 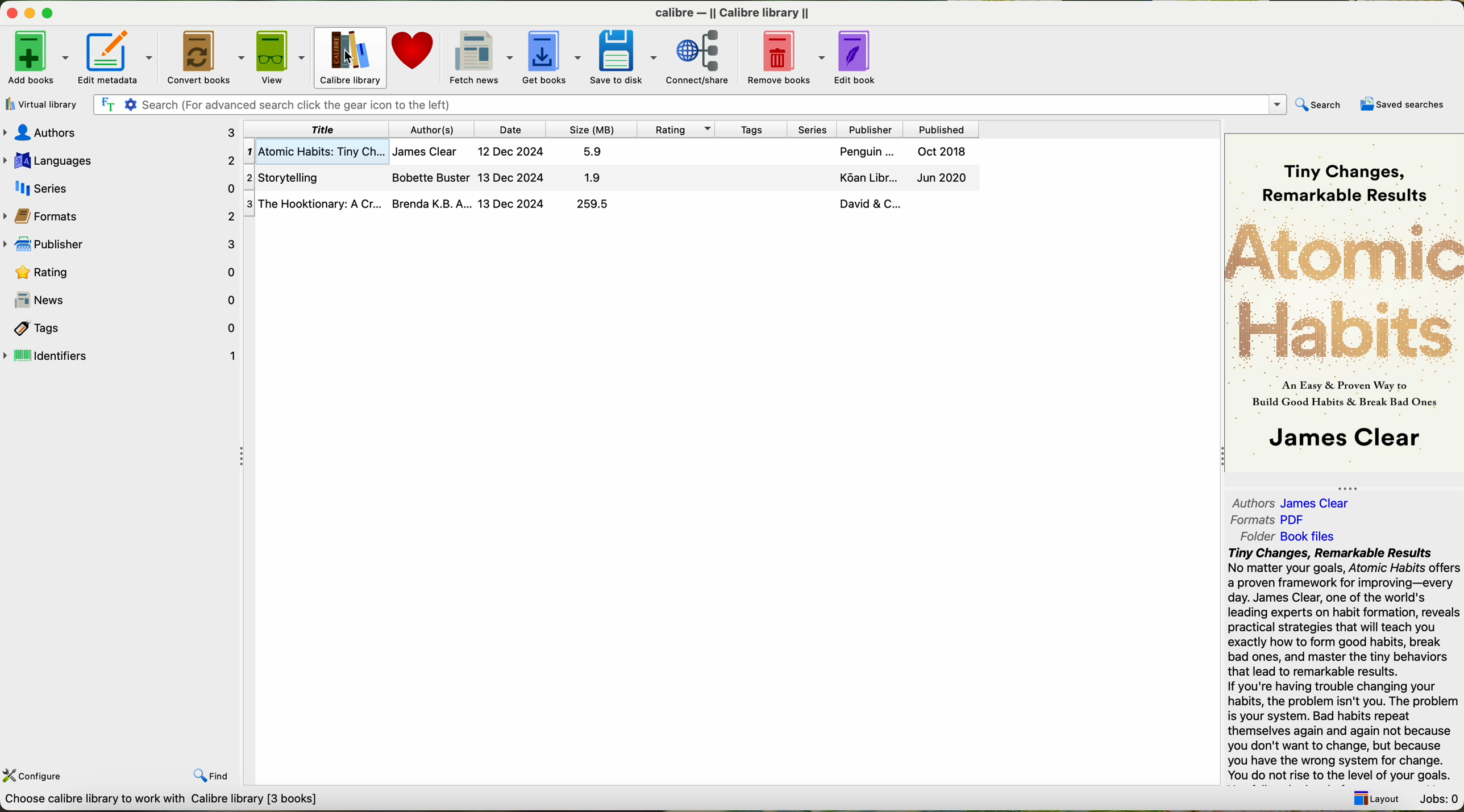 I want to click on remove books, so click(x=789, y=56).